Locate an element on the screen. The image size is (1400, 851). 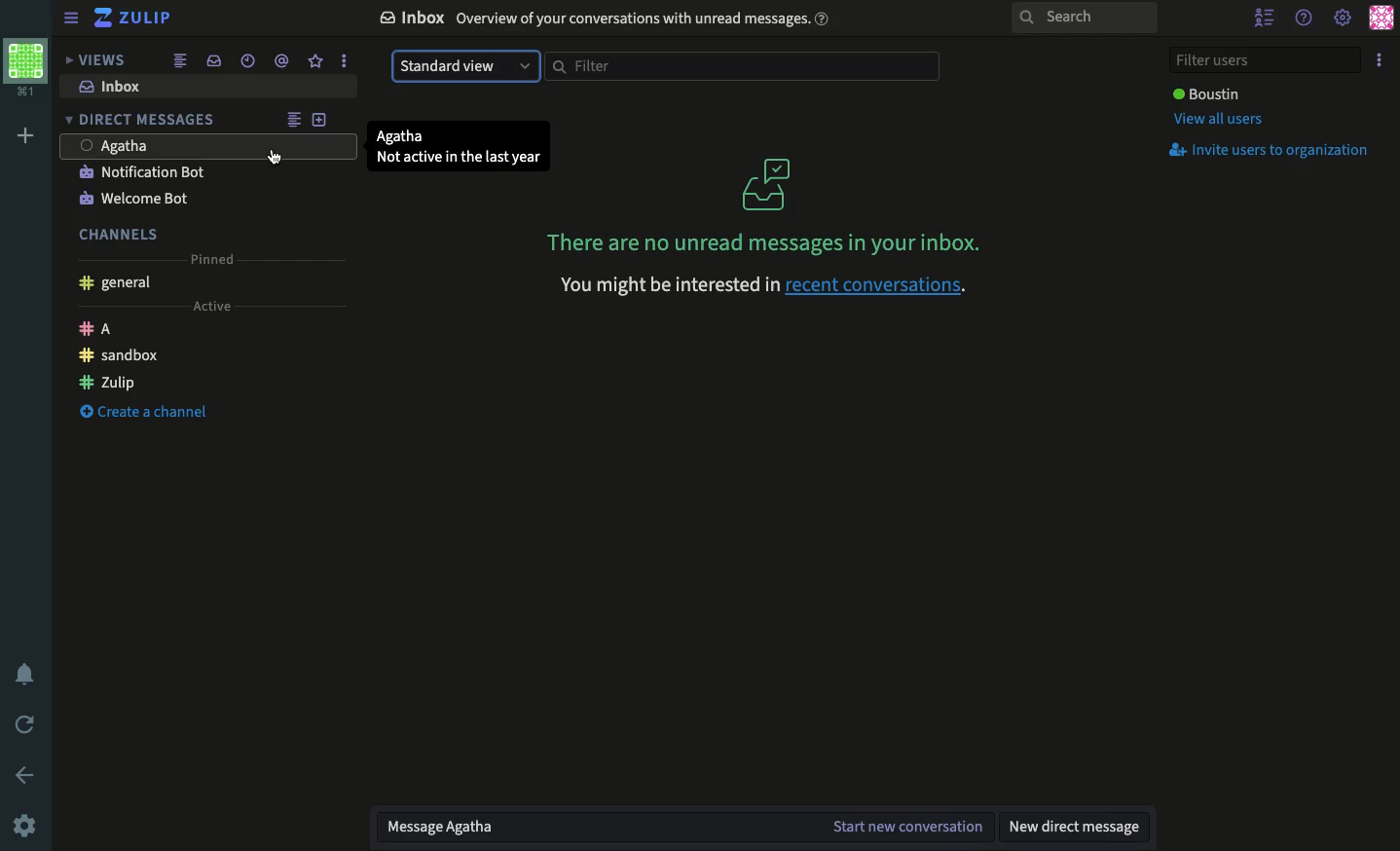
Hide user list is located at coordinates (1261, 18).